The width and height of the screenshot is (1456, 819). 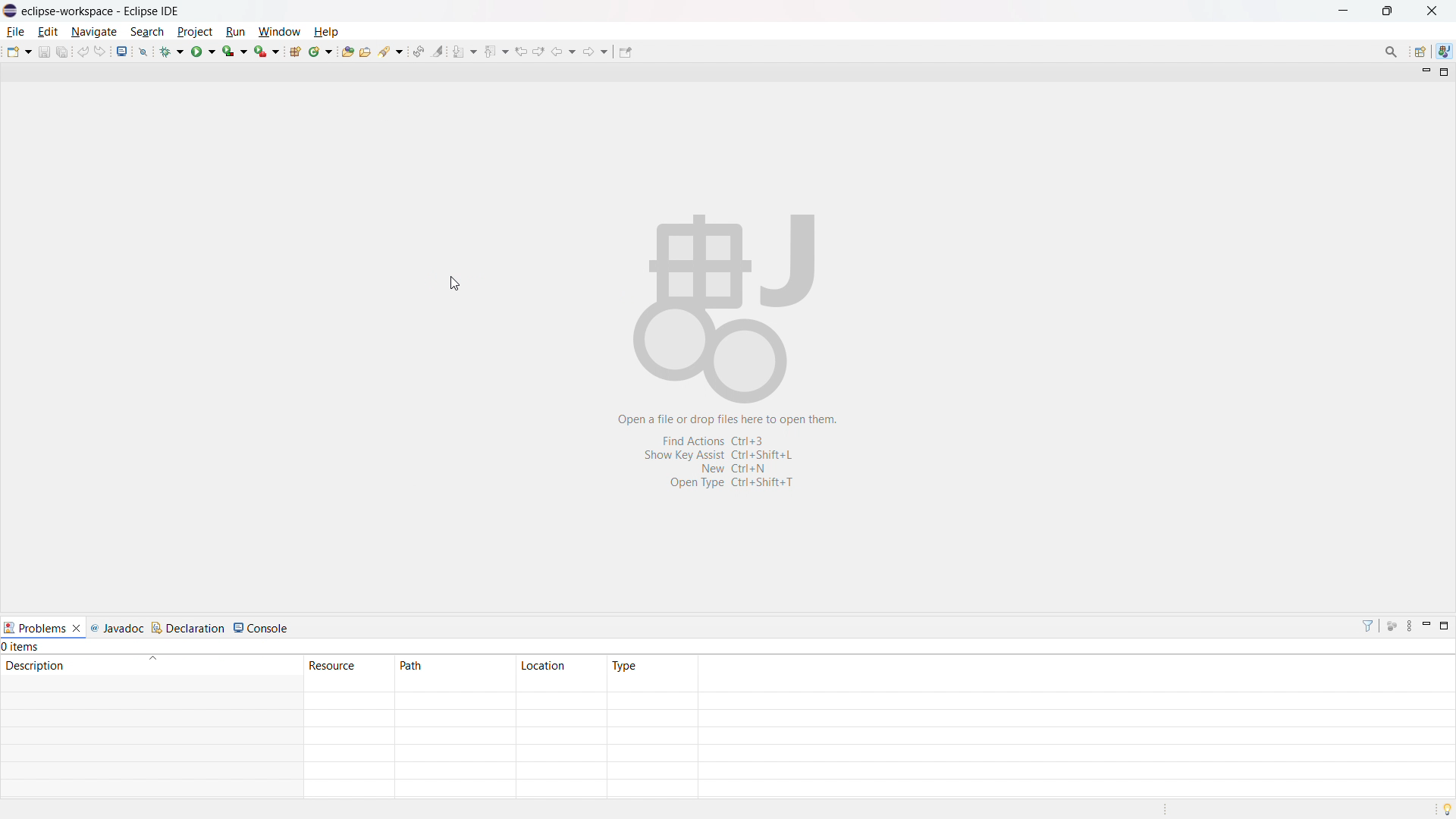 I want to click on toggle ant mark occurances, so click(x=439, y=50).